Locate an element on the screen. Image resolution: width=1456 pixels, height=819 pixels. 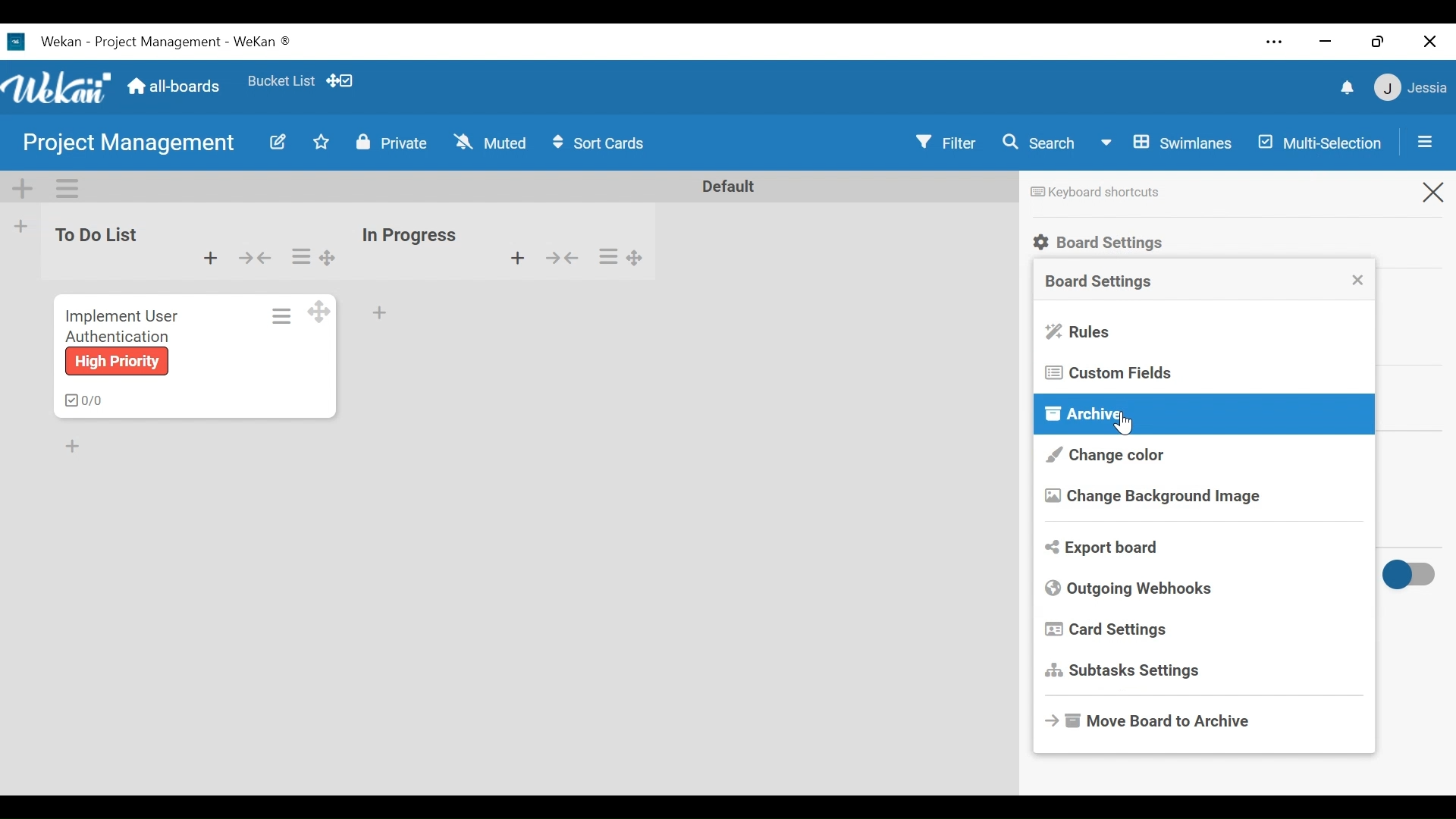
checklist is located at coordinates (80, 400).